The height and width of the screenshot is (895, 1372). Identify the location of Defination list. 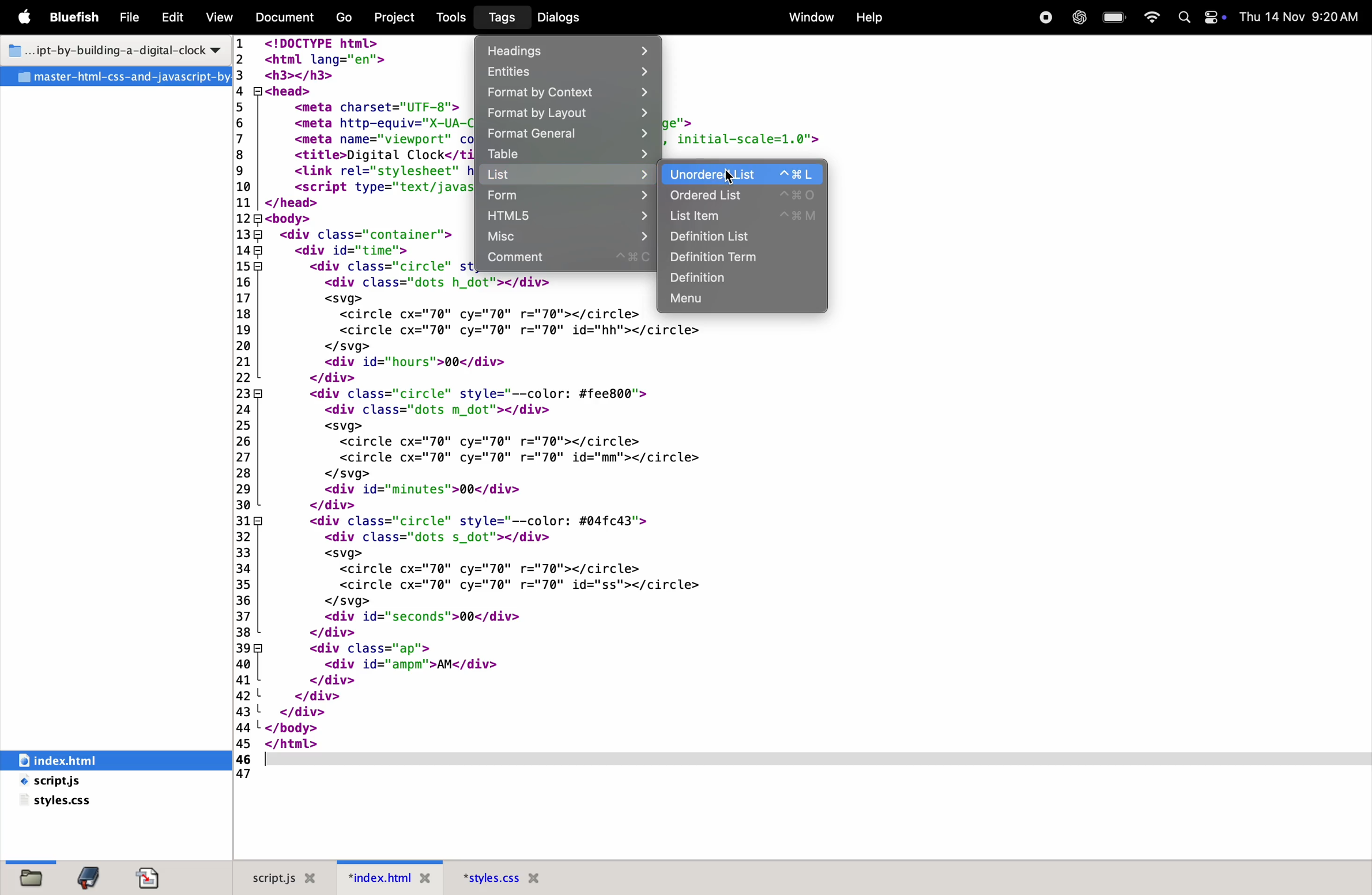
(744, 259).